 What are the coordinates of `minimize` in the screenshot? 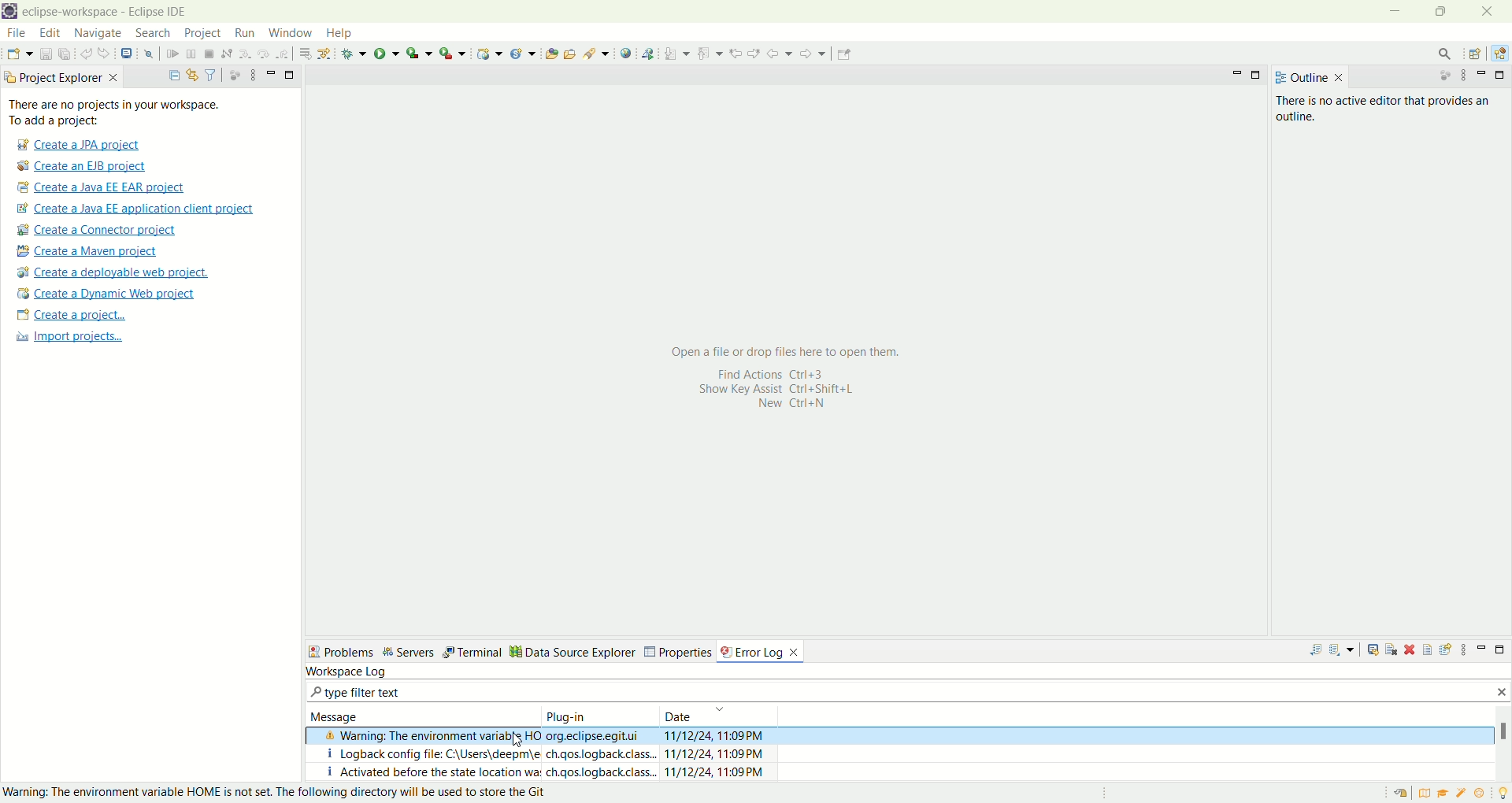 It's located at (1393, 12).